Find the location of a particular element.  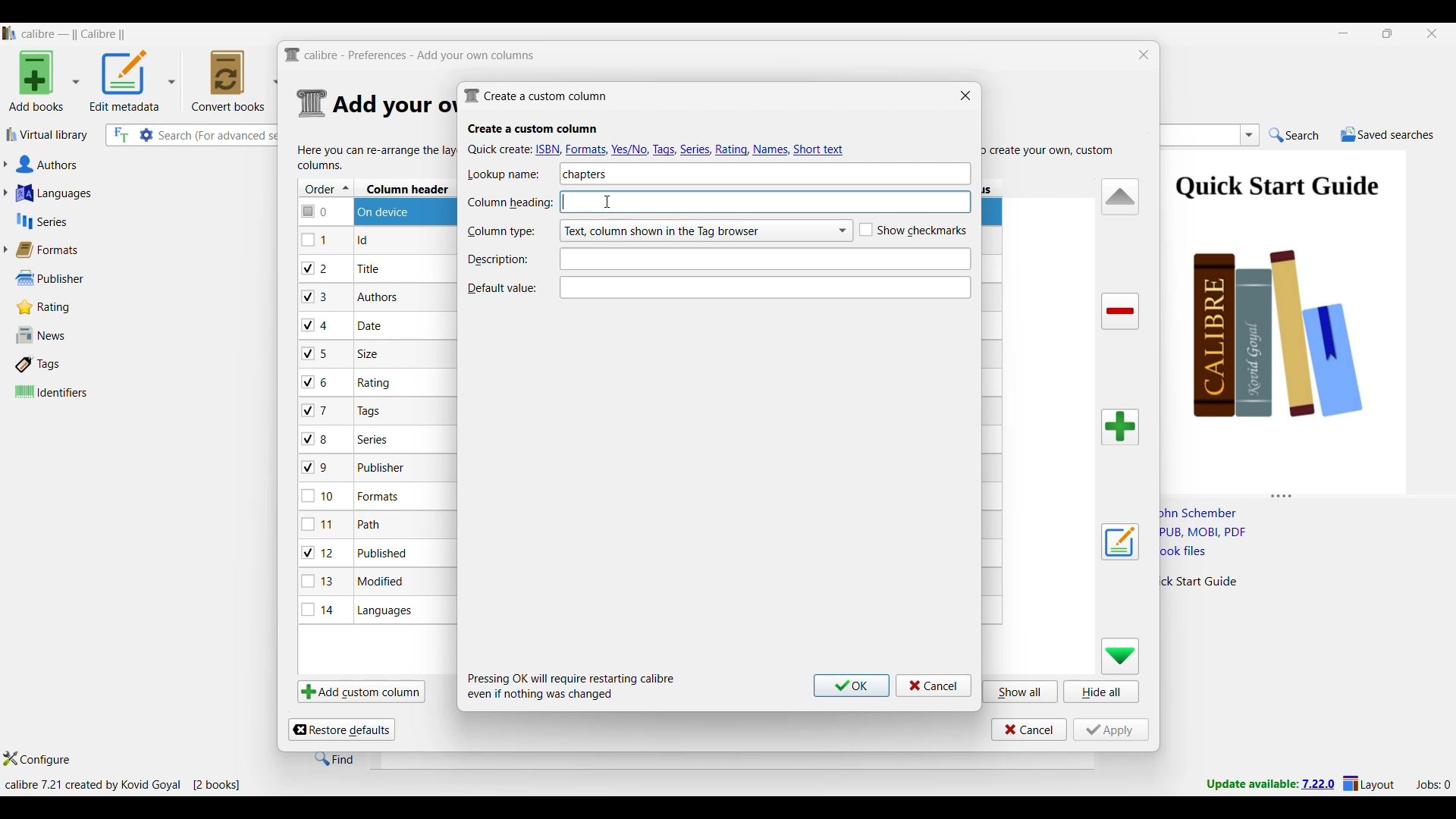

Saved searches is located at coordinates (1387, 134).